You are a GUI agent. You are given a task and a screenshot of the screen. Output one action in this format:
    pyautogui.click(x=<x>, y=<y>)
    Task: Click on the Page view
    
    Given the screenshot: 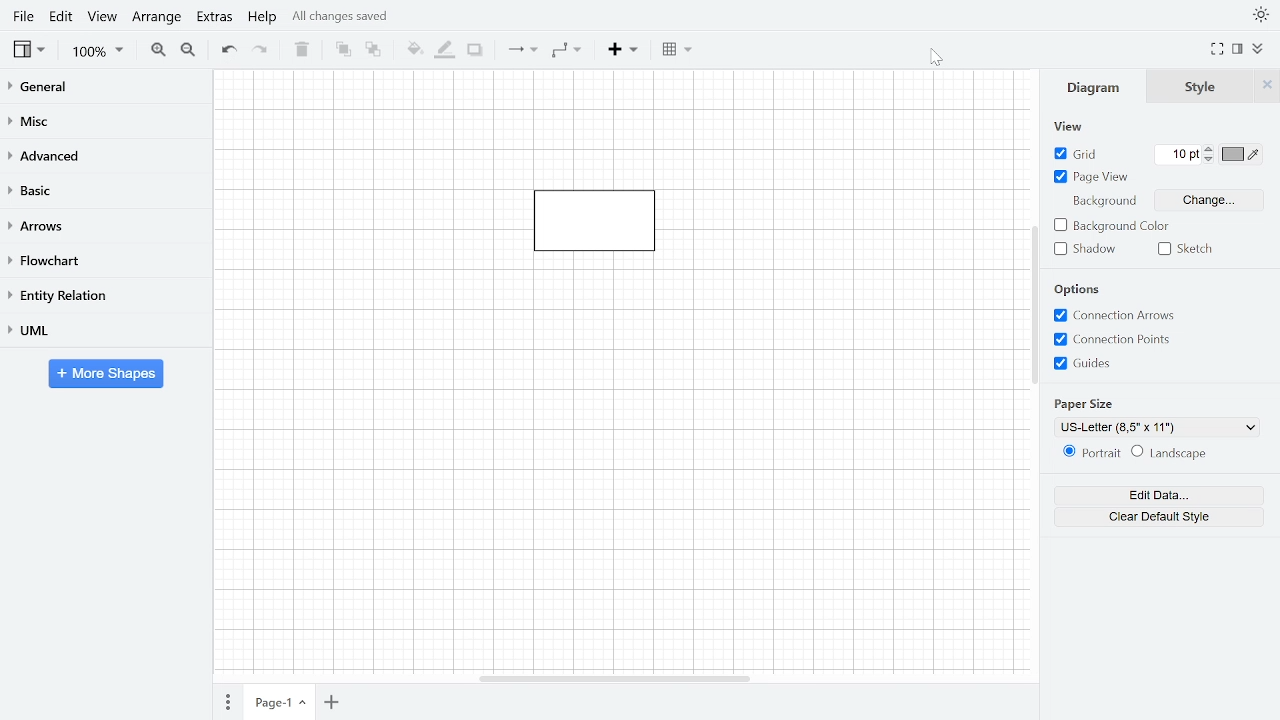 What is the action you would take?
    pyautogui.click(x=1094, y=178)
    